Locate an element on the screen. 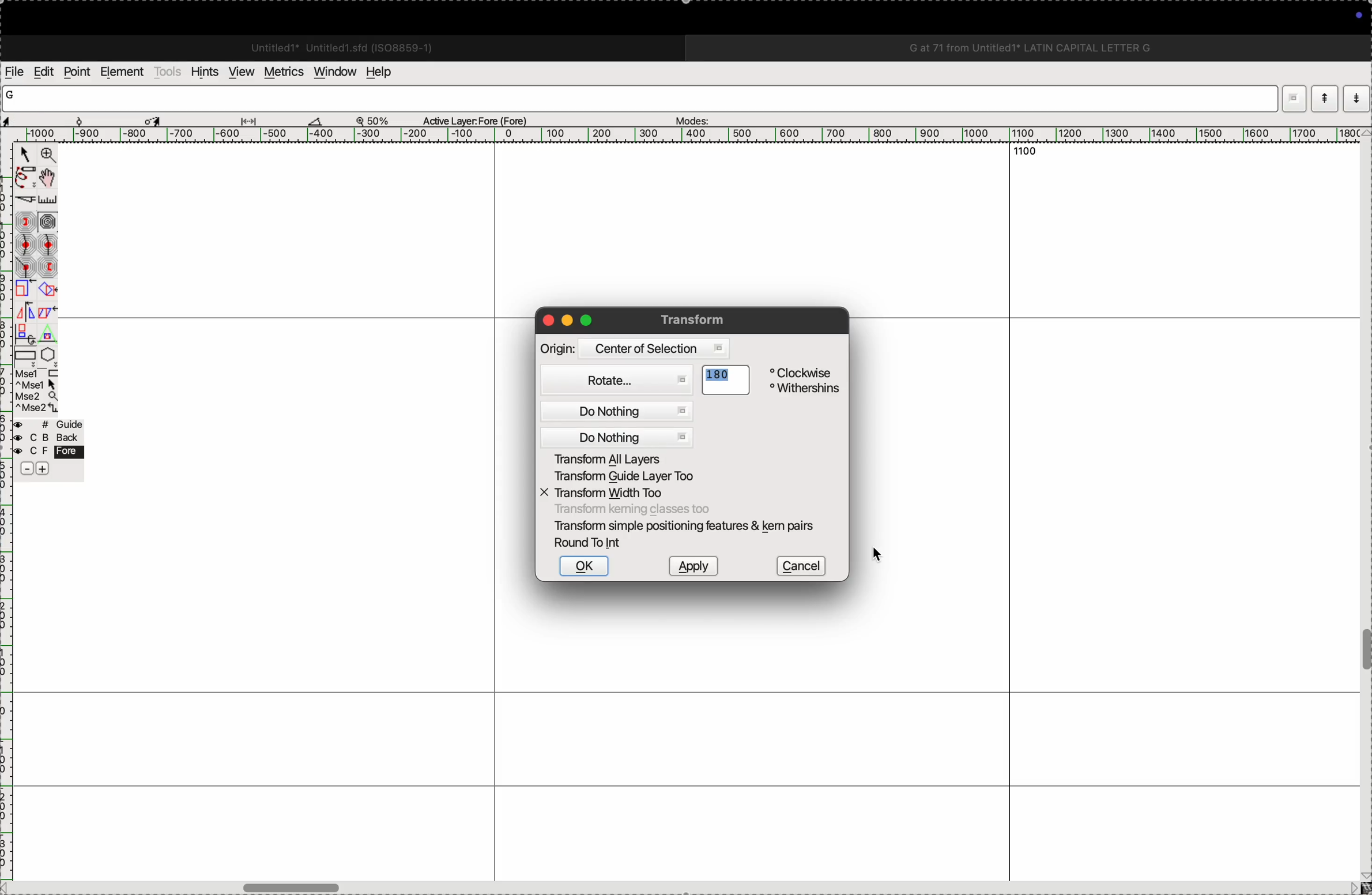 The image size is (1372, 895). Transform keming classes too is located at coordinates (653, 508).